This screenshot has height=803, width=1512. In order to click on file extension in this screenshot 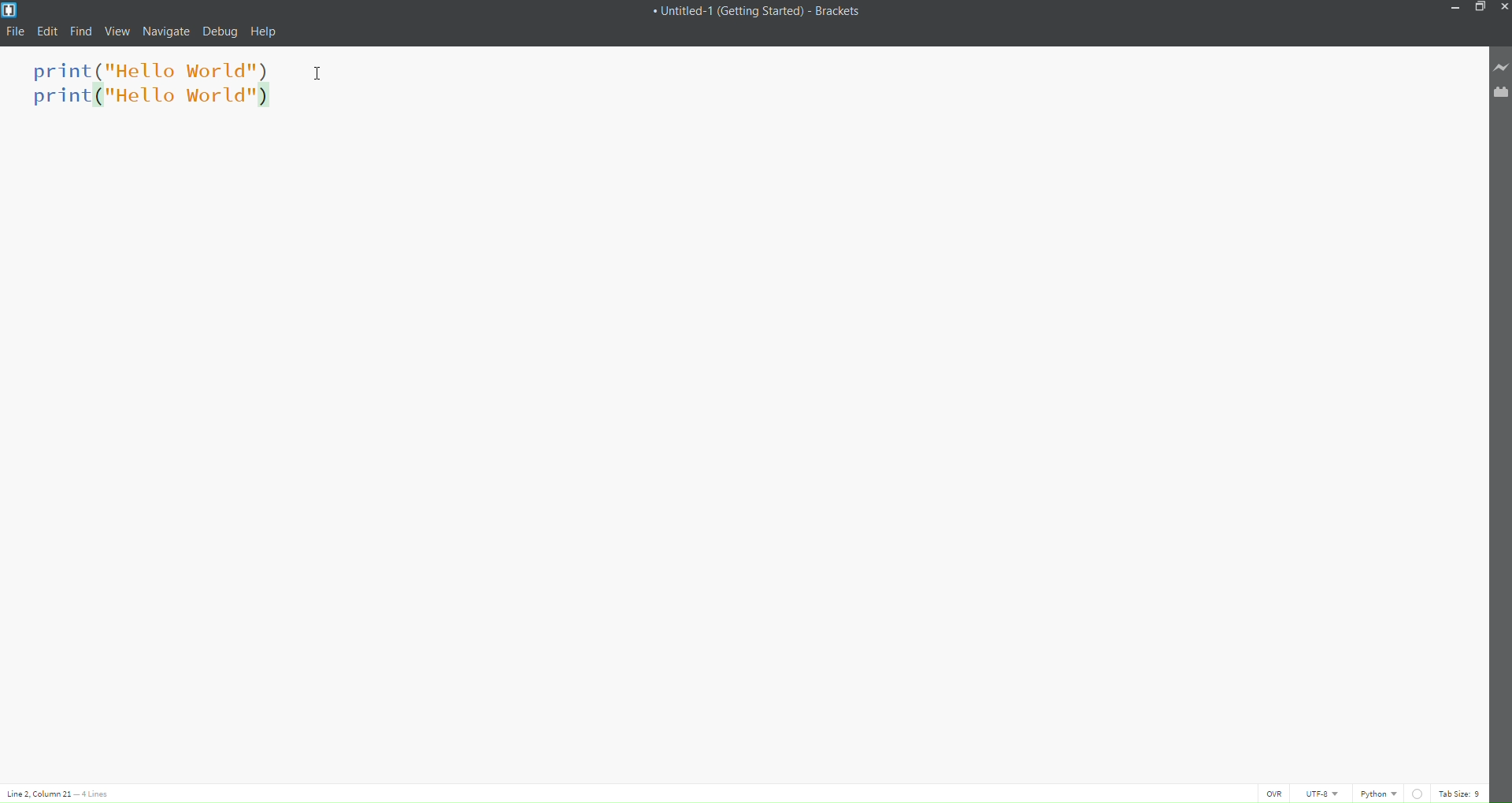, I will do `click(1499, 92)`.